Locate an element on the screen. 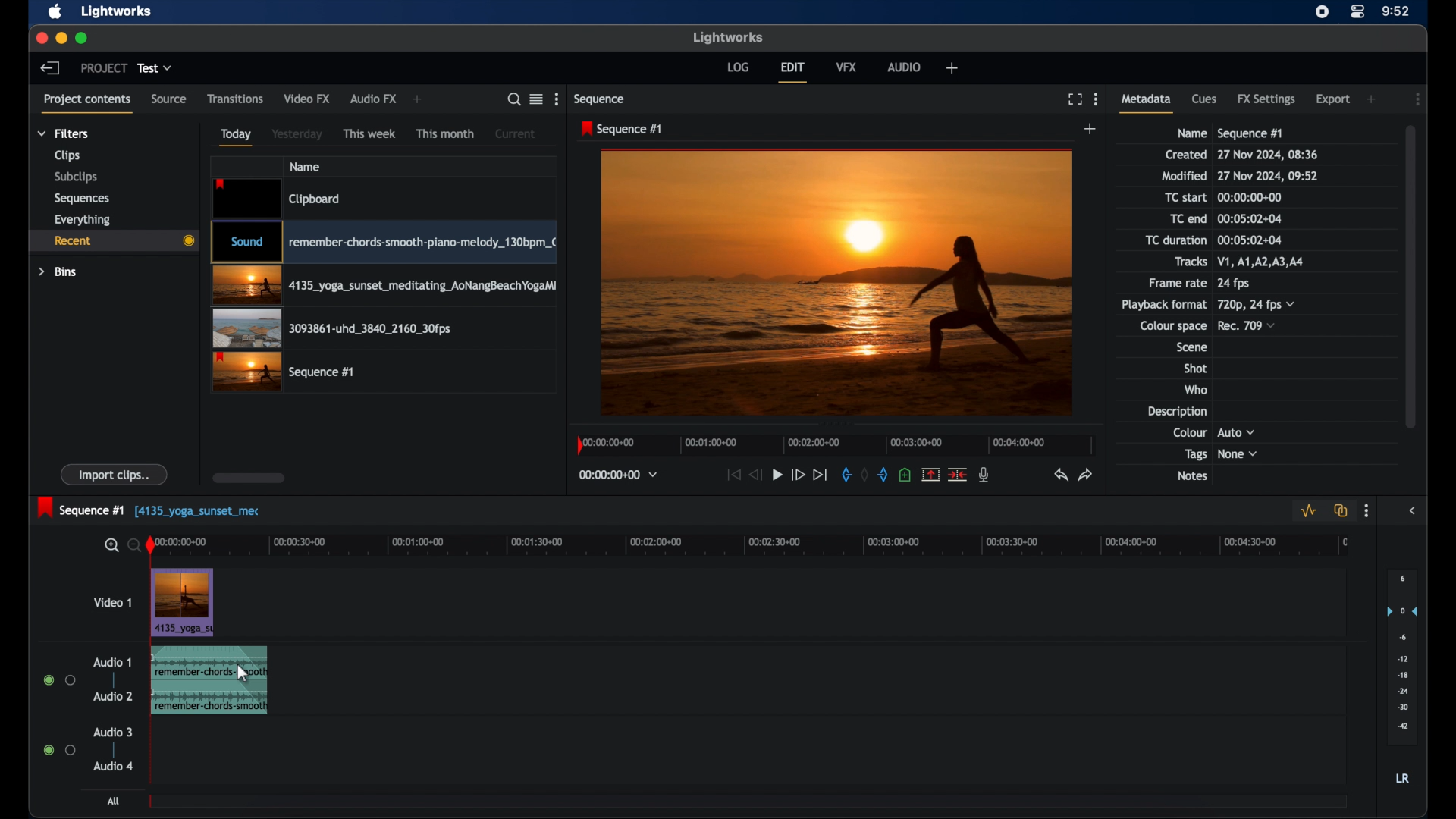  in mark is located at coordinates (845, 474).